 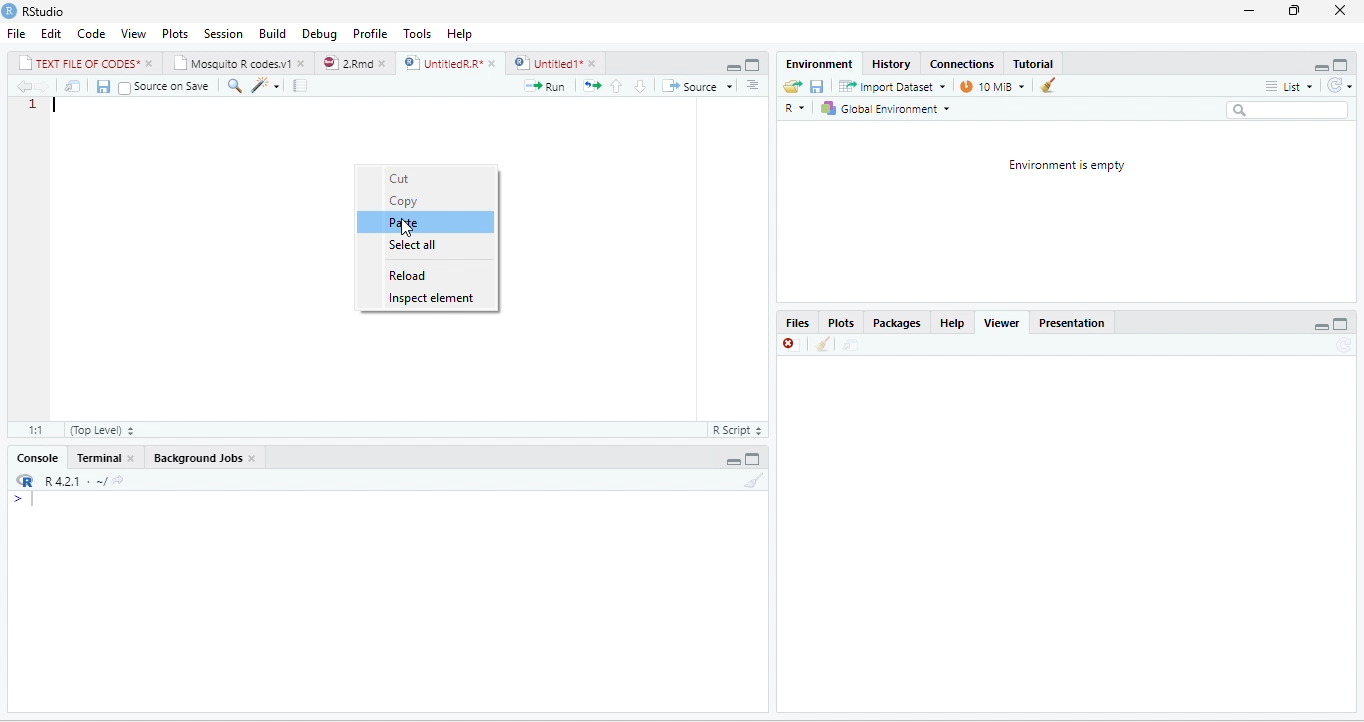 I want to click on code tools, so click(x=266, y=85).